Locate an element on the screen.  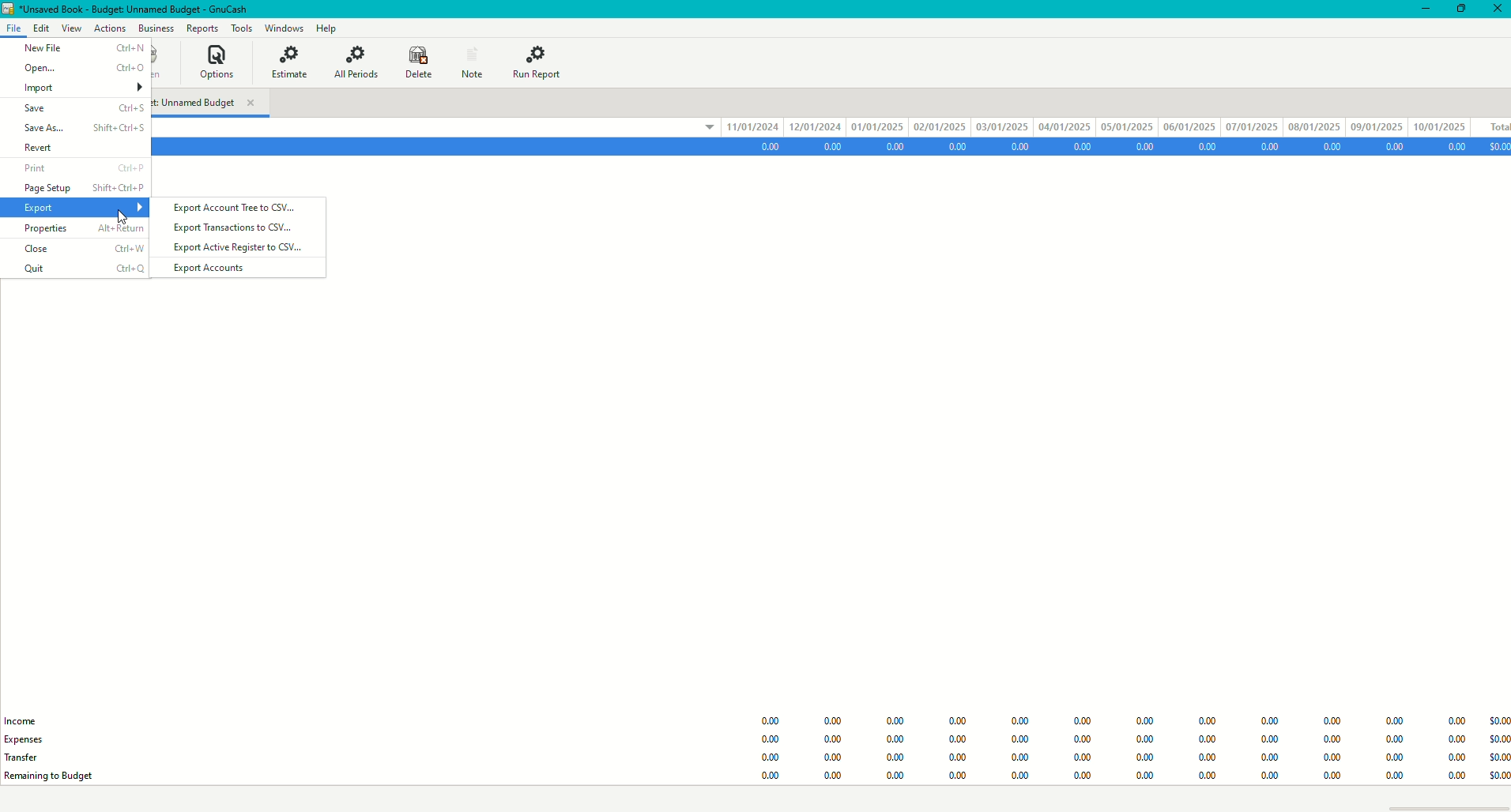
Reports is located at coordinates (198, 28).